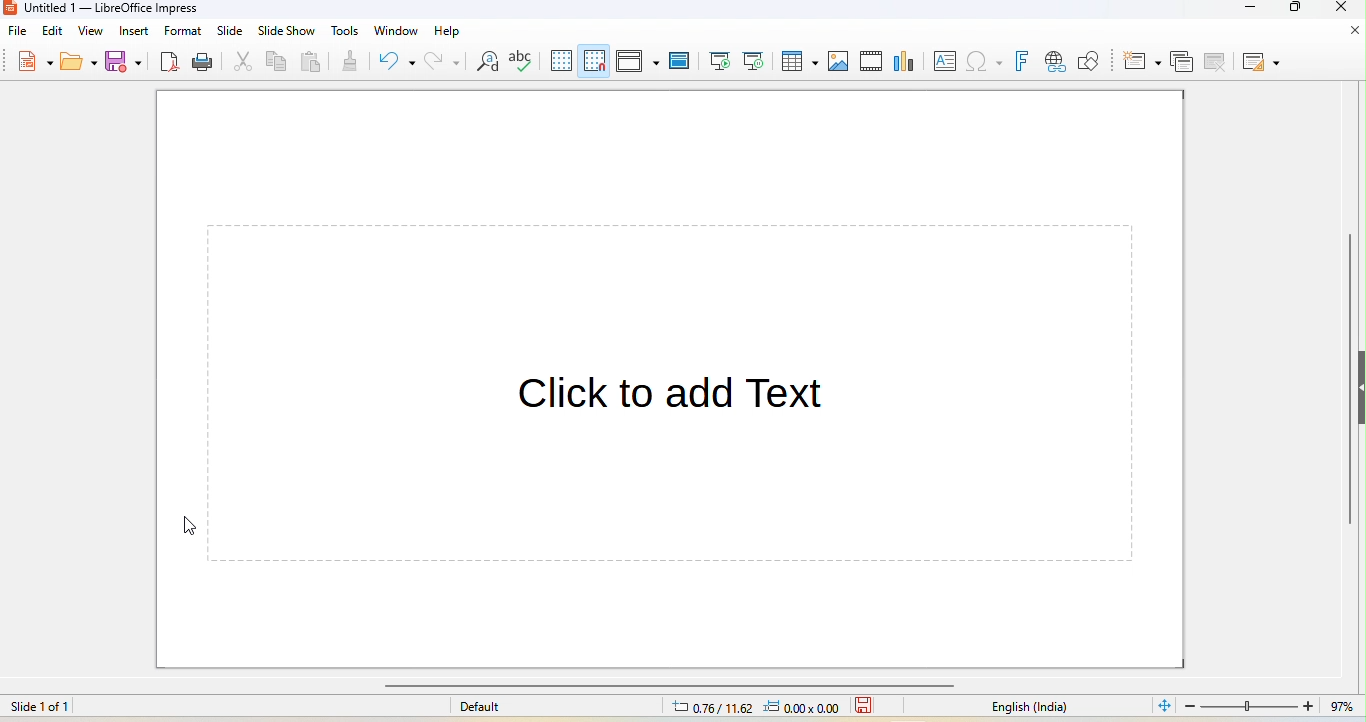 This screenshot has height=722, width=1366. What do you see at coordinates (90, 31) in the screenshot?
I see `view` at bounding box center [90, 31].